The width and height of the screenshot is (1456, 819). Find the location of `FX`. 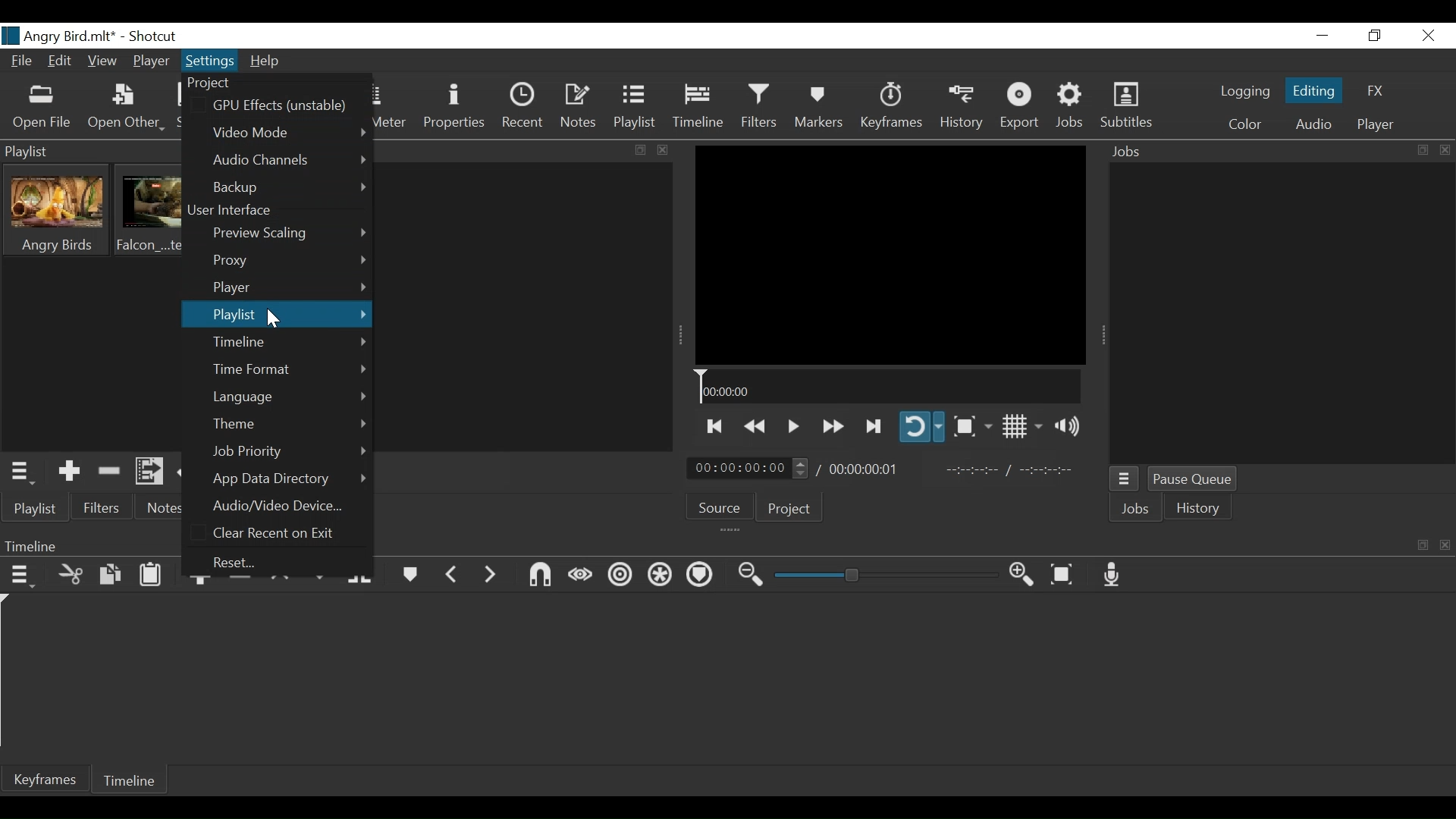

FX is located at coordinates (1376, 91).